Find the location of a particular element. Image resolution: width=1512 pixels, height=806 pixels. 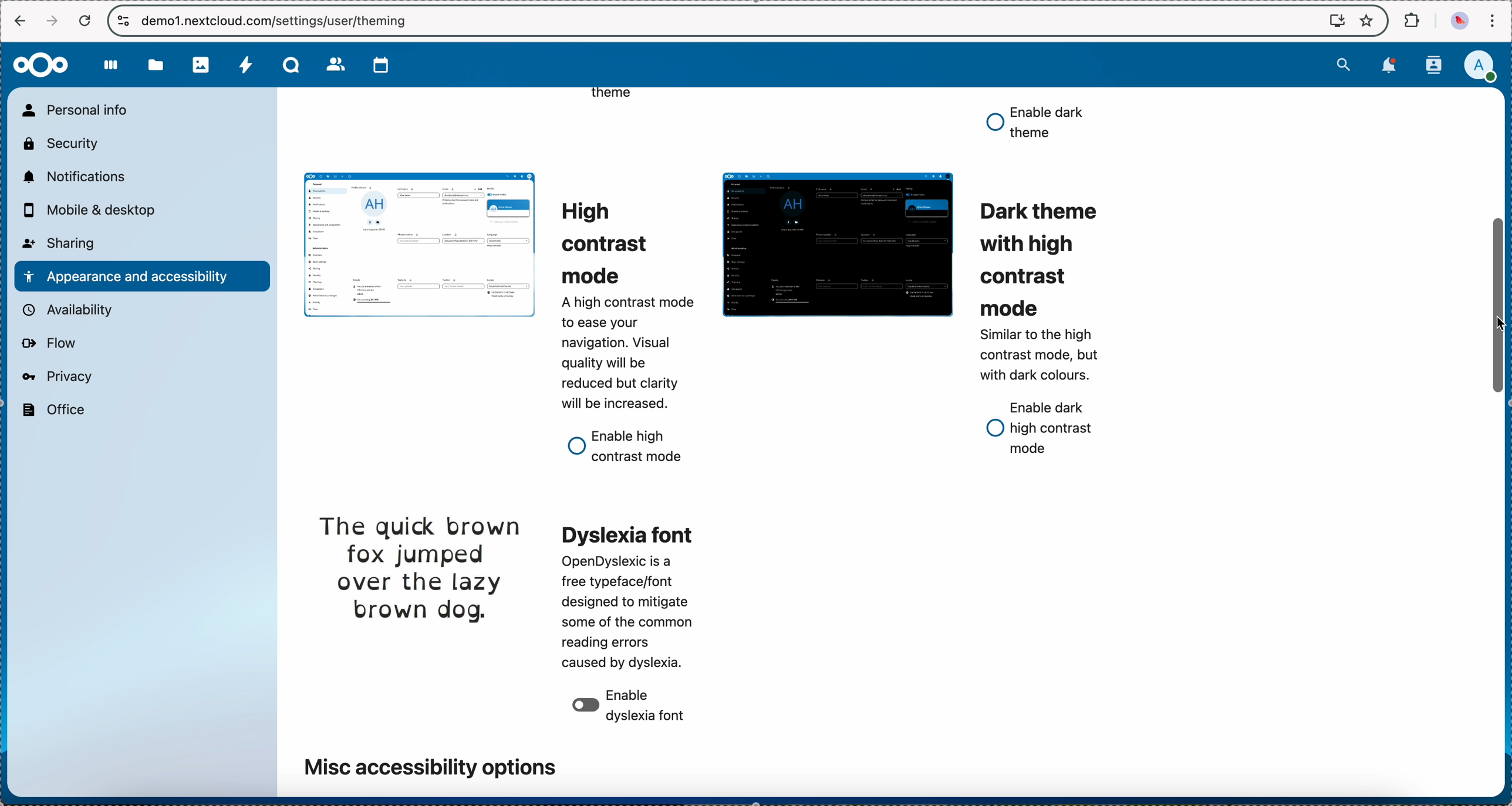

activity is located at coordinates (244, 66).